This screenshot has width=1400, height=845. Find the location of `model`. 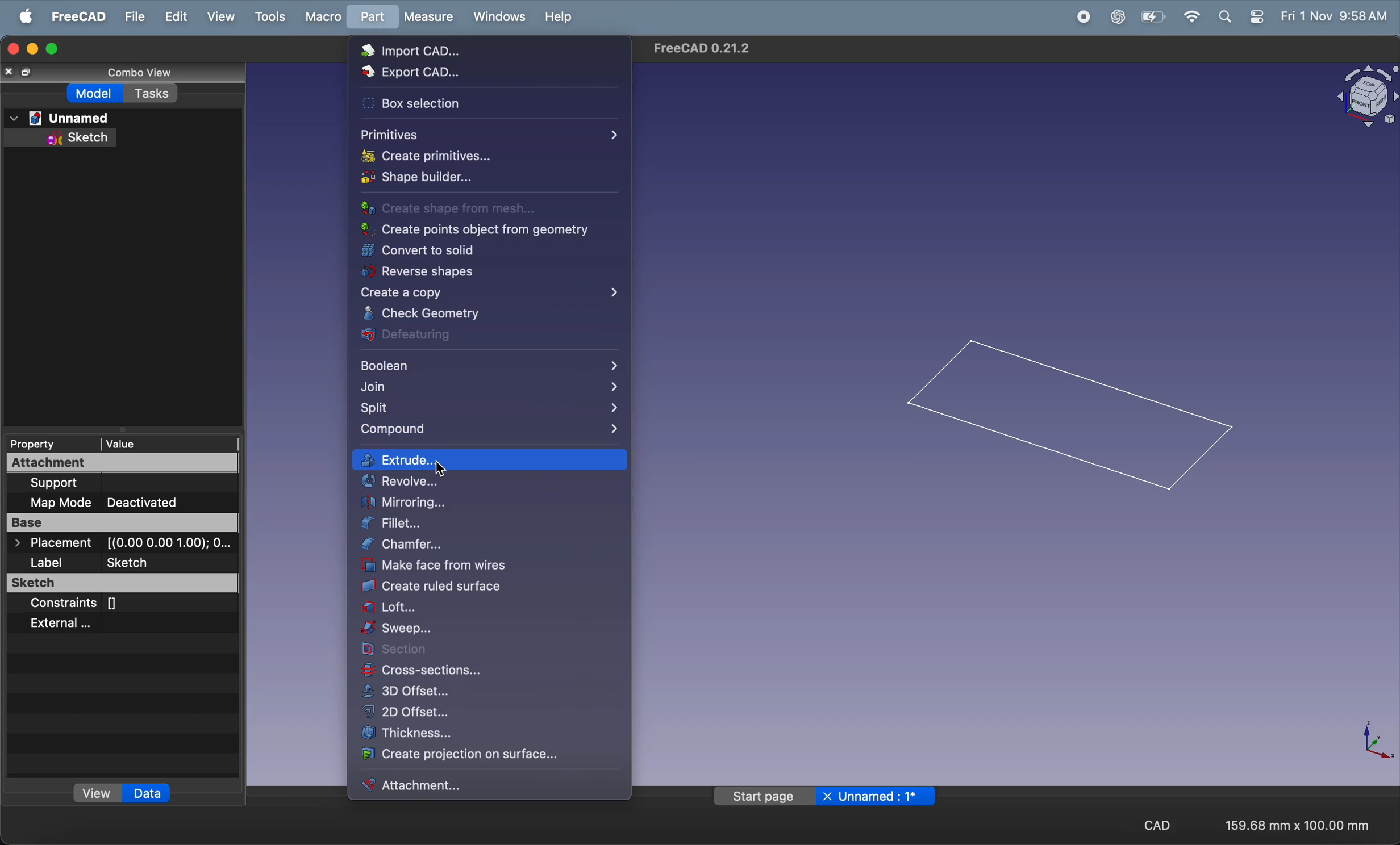

model is located at coordinates (91, 93).